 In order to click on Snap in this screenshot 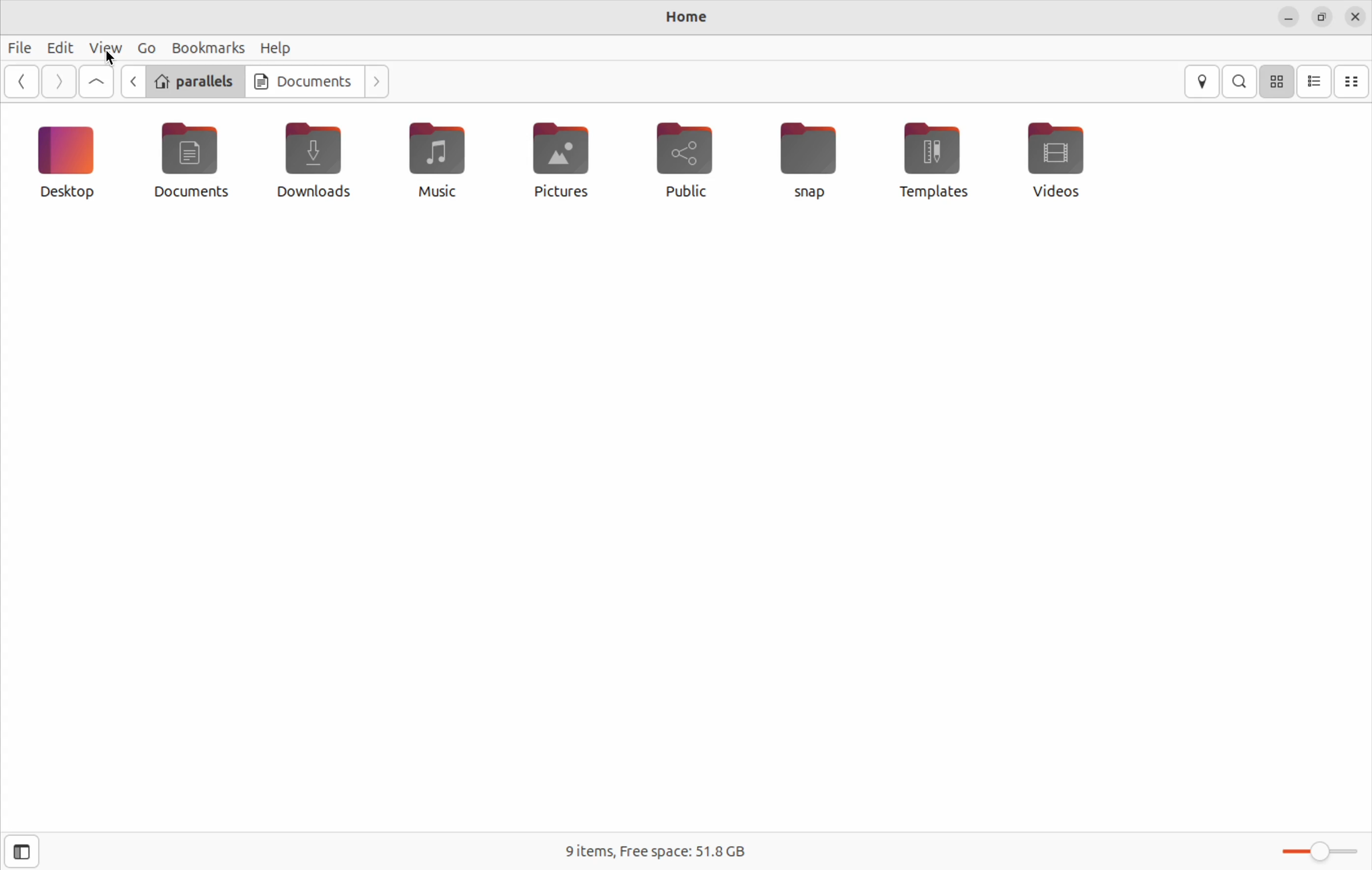, I will do `click(814, 164)`.